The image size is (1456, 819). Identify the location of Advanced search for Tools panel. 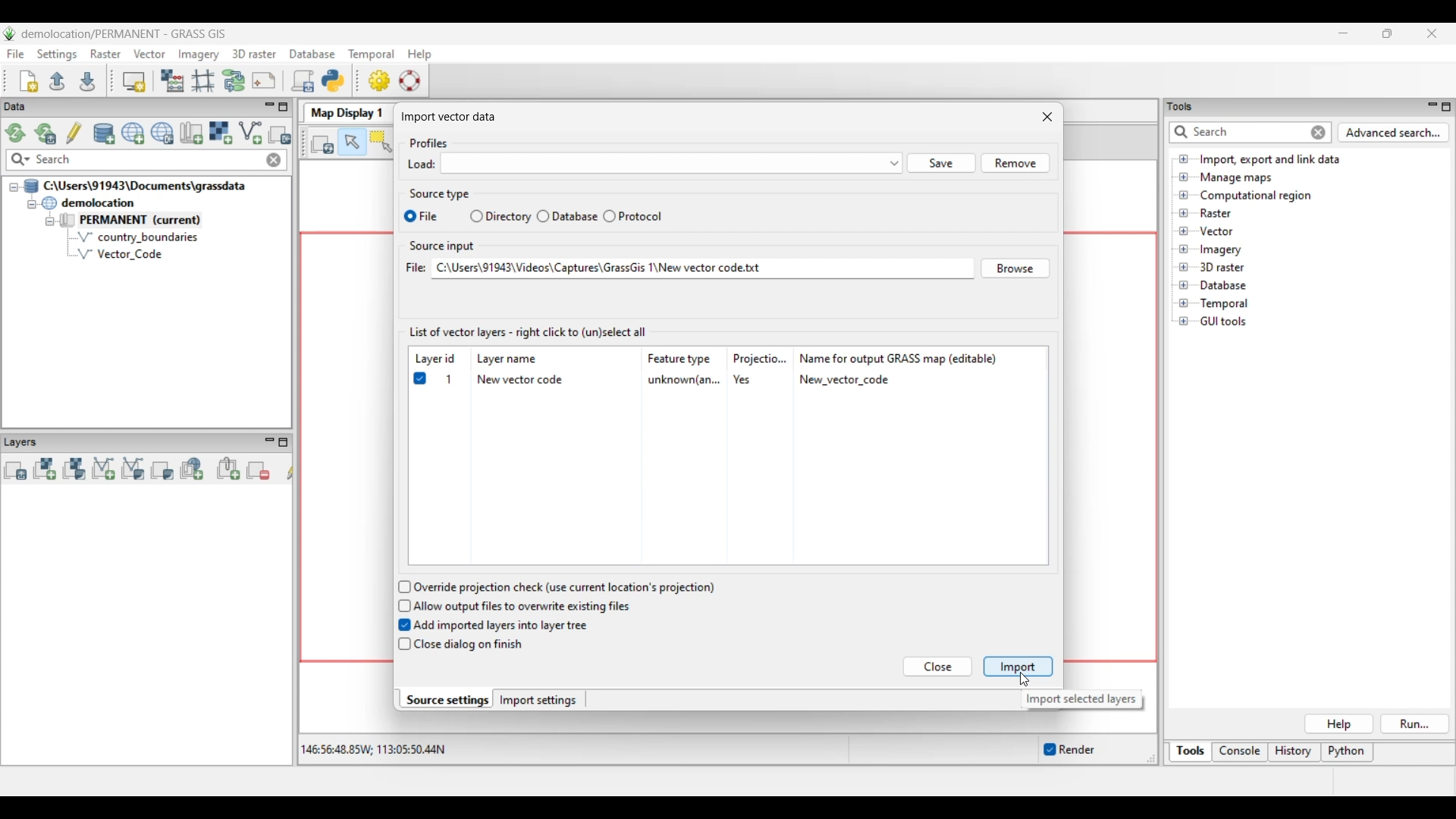
(1394, 133).